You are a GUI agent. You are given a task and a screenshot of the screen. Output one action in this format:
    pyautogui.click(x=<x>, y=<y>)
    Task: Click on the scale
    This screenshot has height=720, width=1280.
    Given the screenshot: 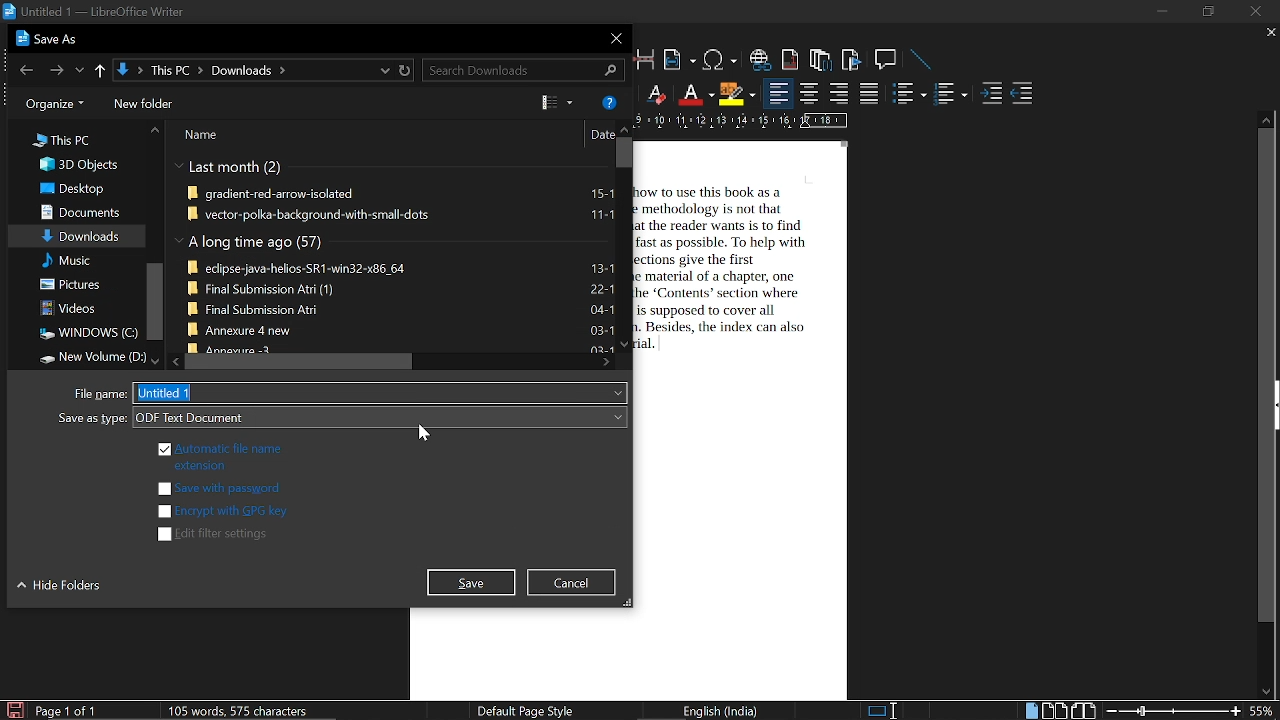 What is the action you would take?
    pyautogui.click(x=742, y=120)
    